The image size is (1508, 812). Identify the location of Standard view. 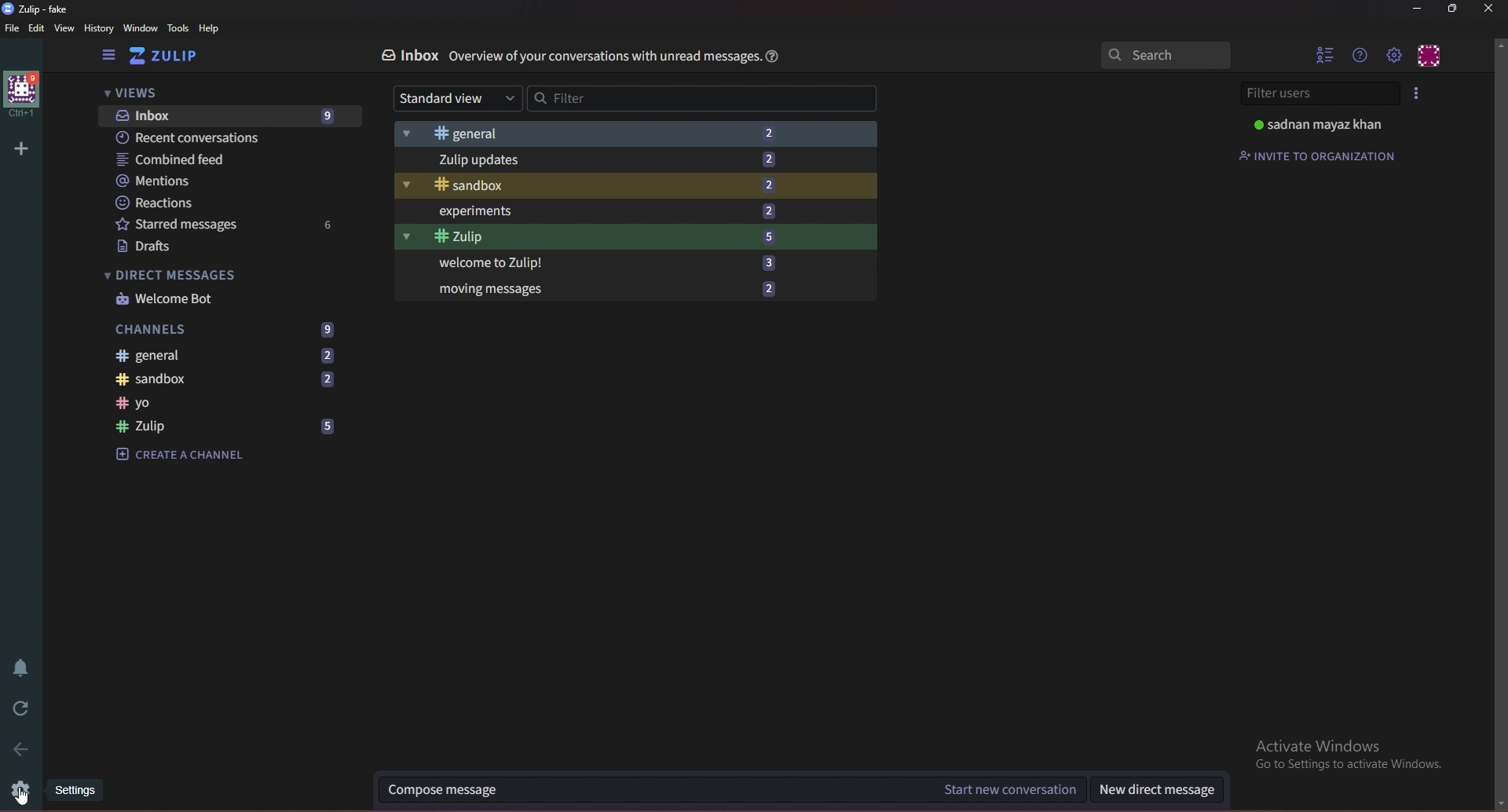
(458, 100).